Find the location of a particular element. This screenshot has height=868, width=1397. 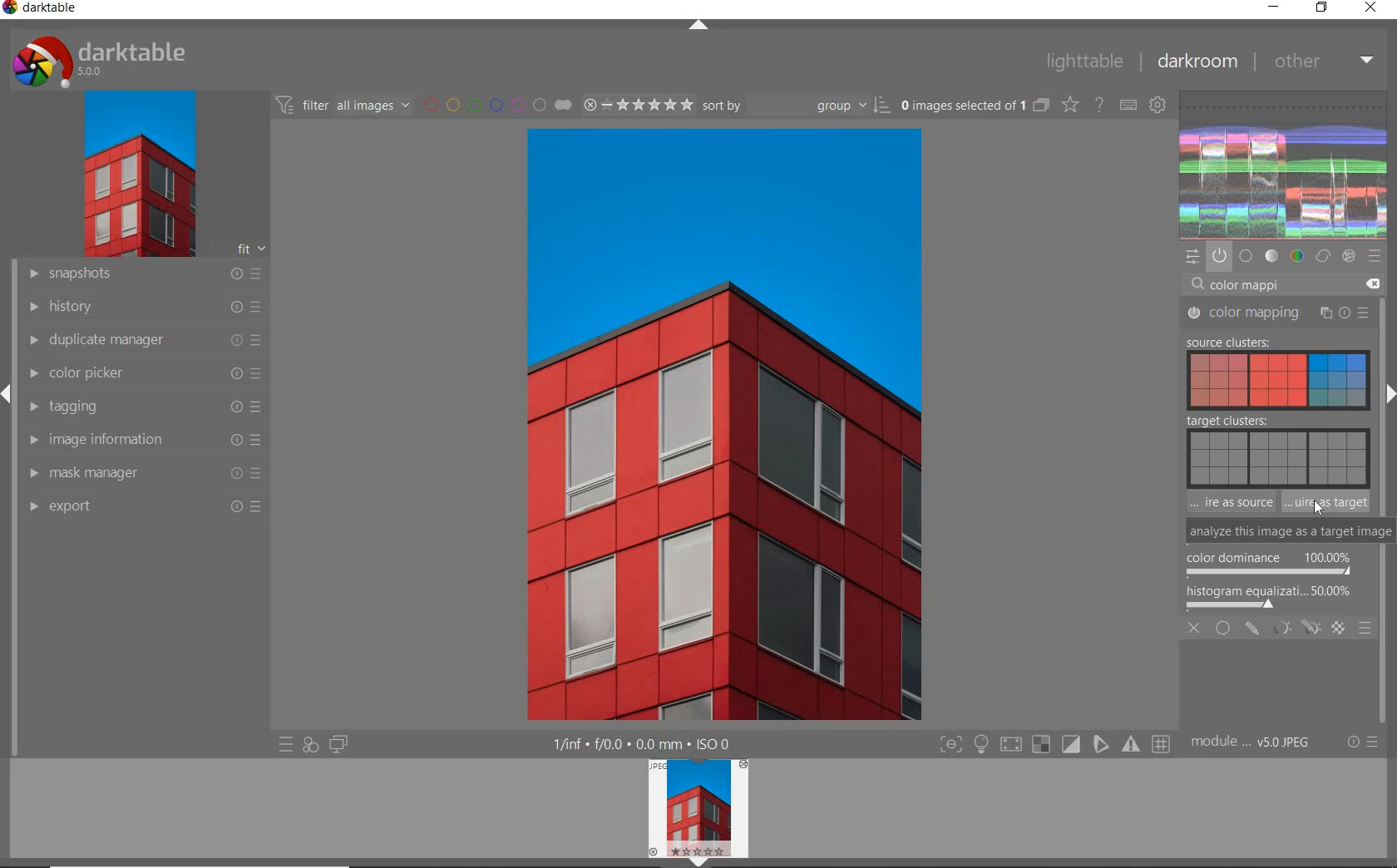

other interface detail is located at coordinates (654, 744).